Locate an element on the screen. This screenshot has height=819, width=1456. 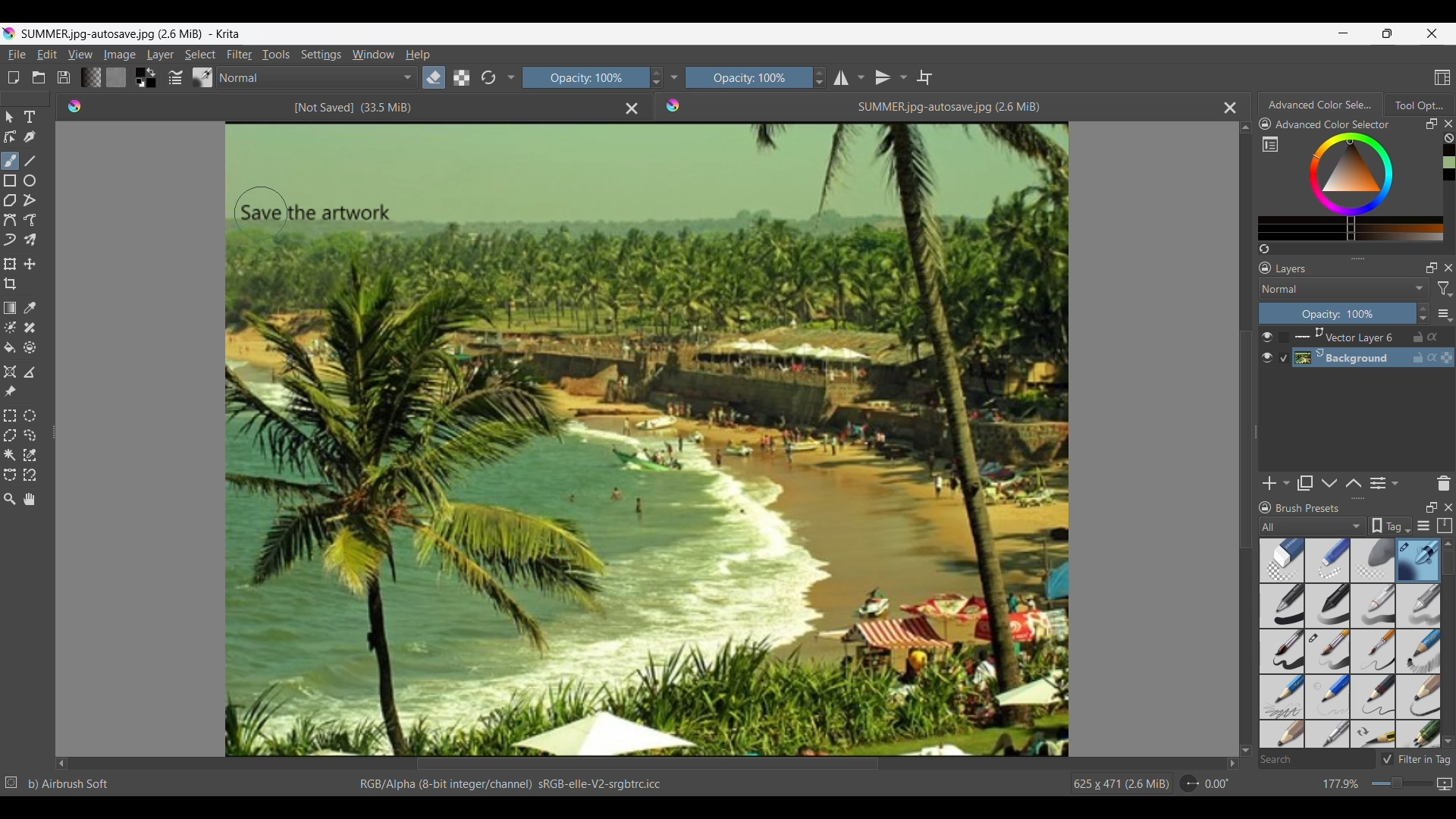
Quick slide to bottom is located at coordinates (1245, 751).